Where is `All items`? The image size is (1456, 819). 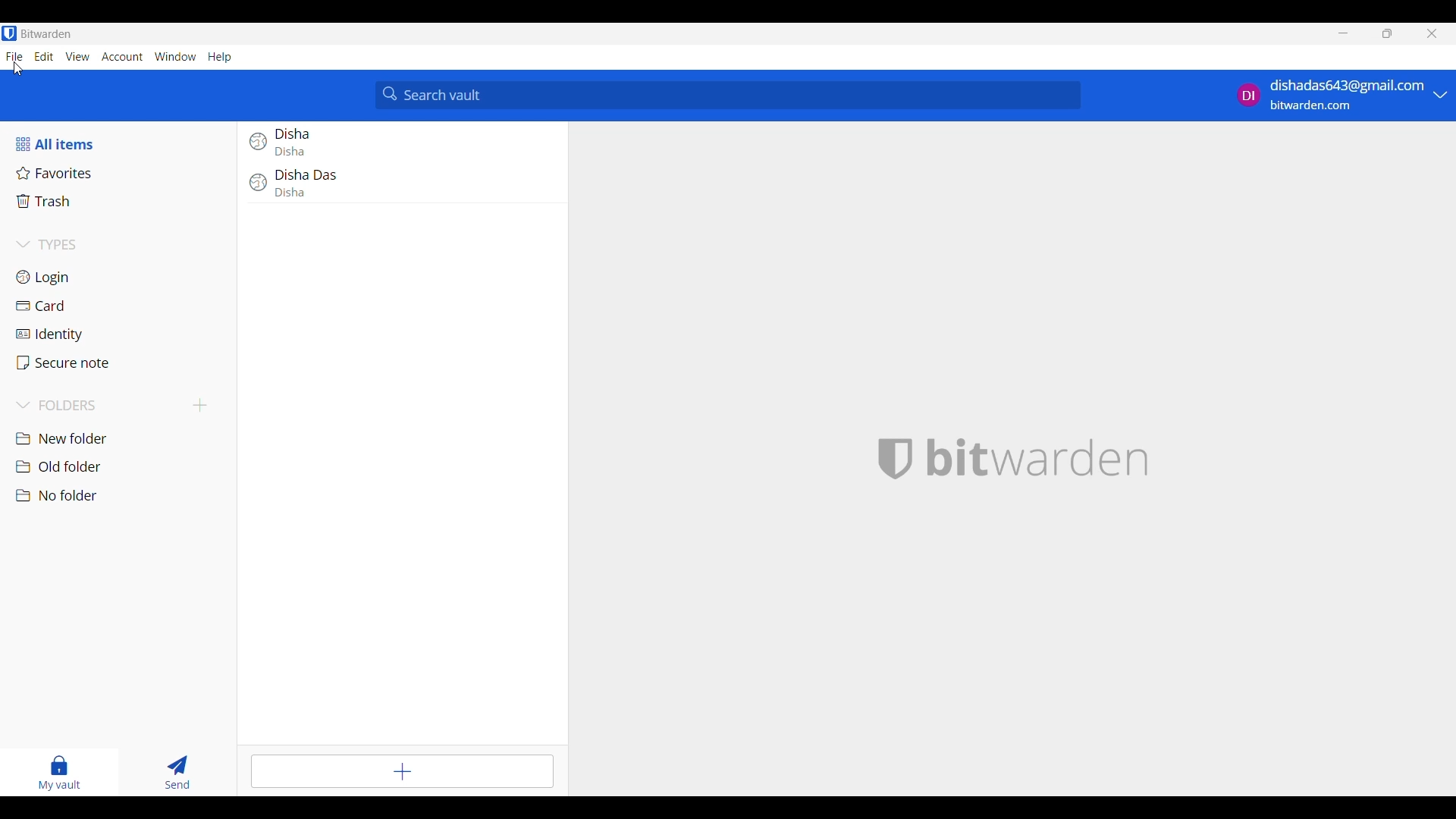 All items is located at coordinates (71, 145).